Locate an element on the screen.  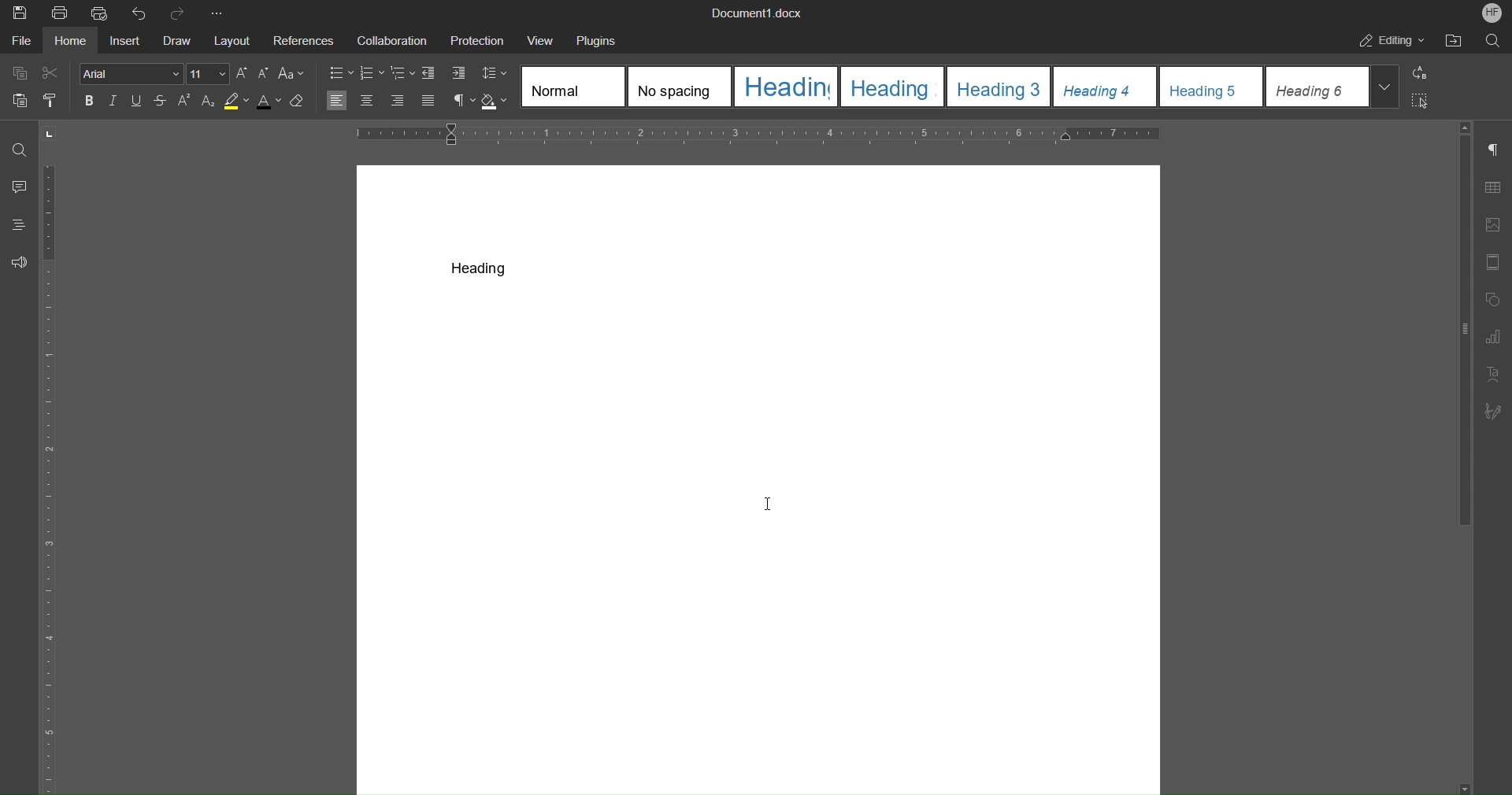
Replace is located at coordinates (1421, 73).